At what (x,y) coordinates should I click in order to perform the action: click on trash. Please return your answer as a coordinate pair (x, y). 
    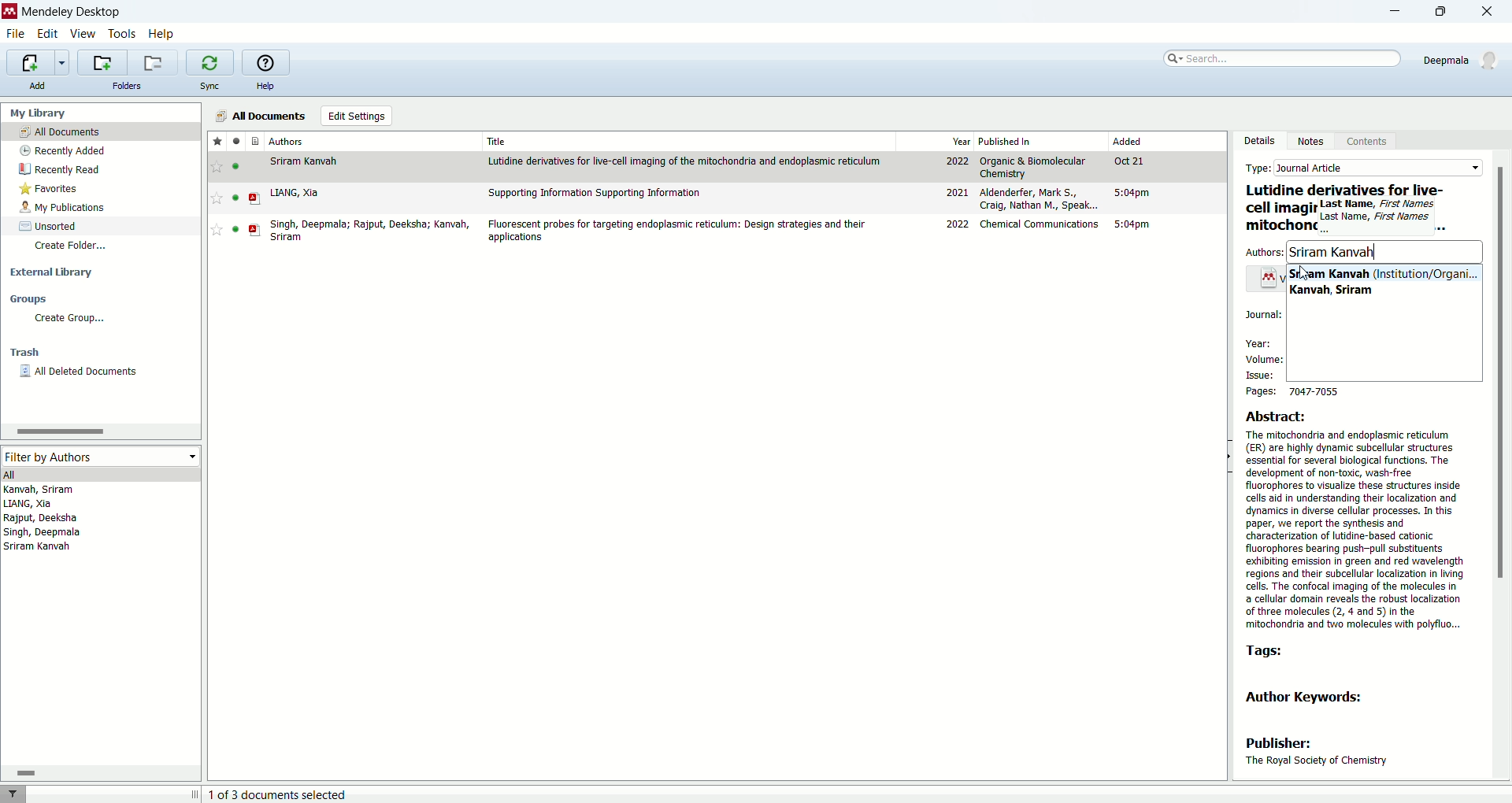
    Looking at the image, I should click on (25, 350).